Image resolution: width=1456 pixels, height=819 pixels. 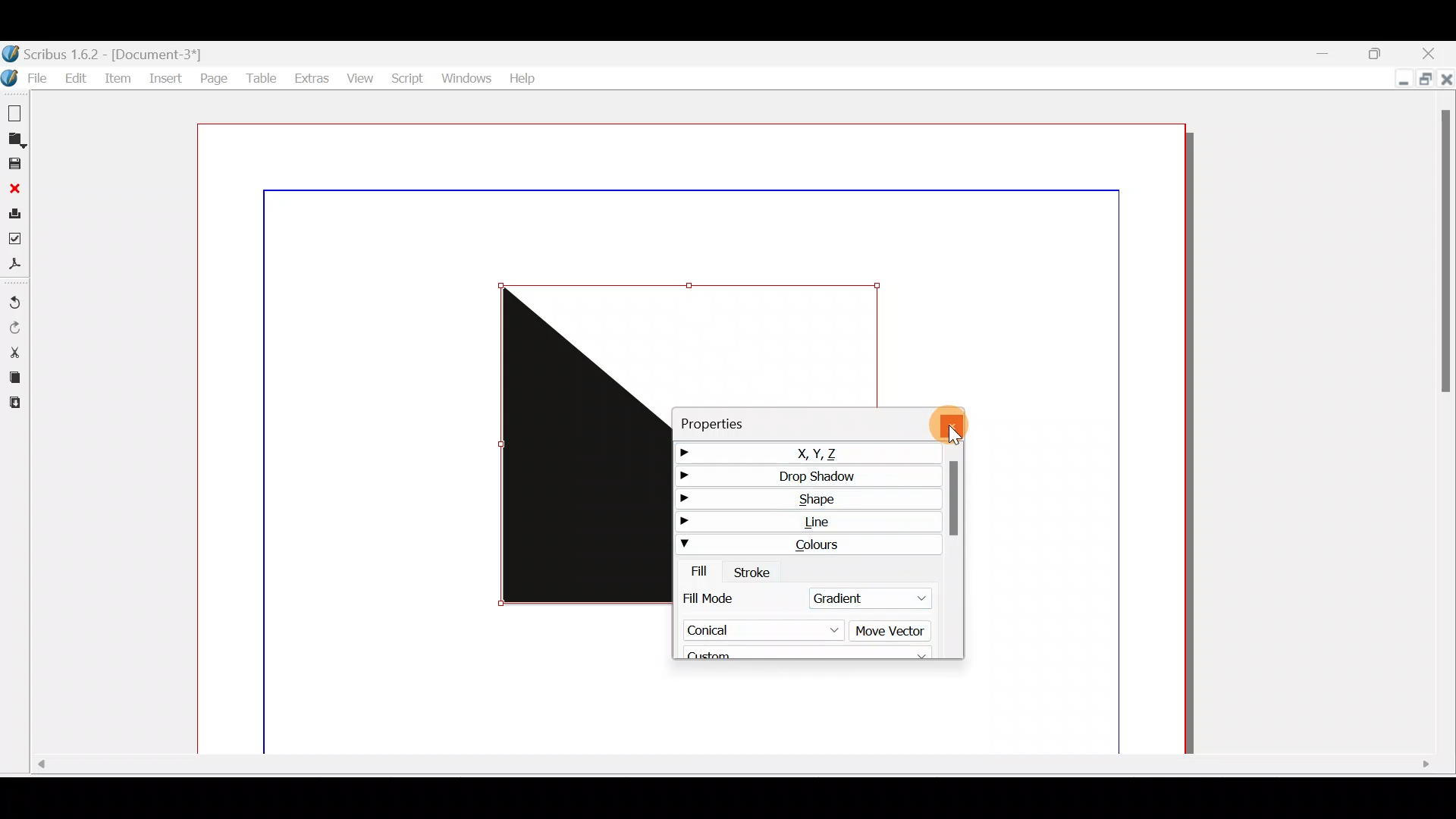 I want to click on Preflight verifier, so click(x=18, y=237).